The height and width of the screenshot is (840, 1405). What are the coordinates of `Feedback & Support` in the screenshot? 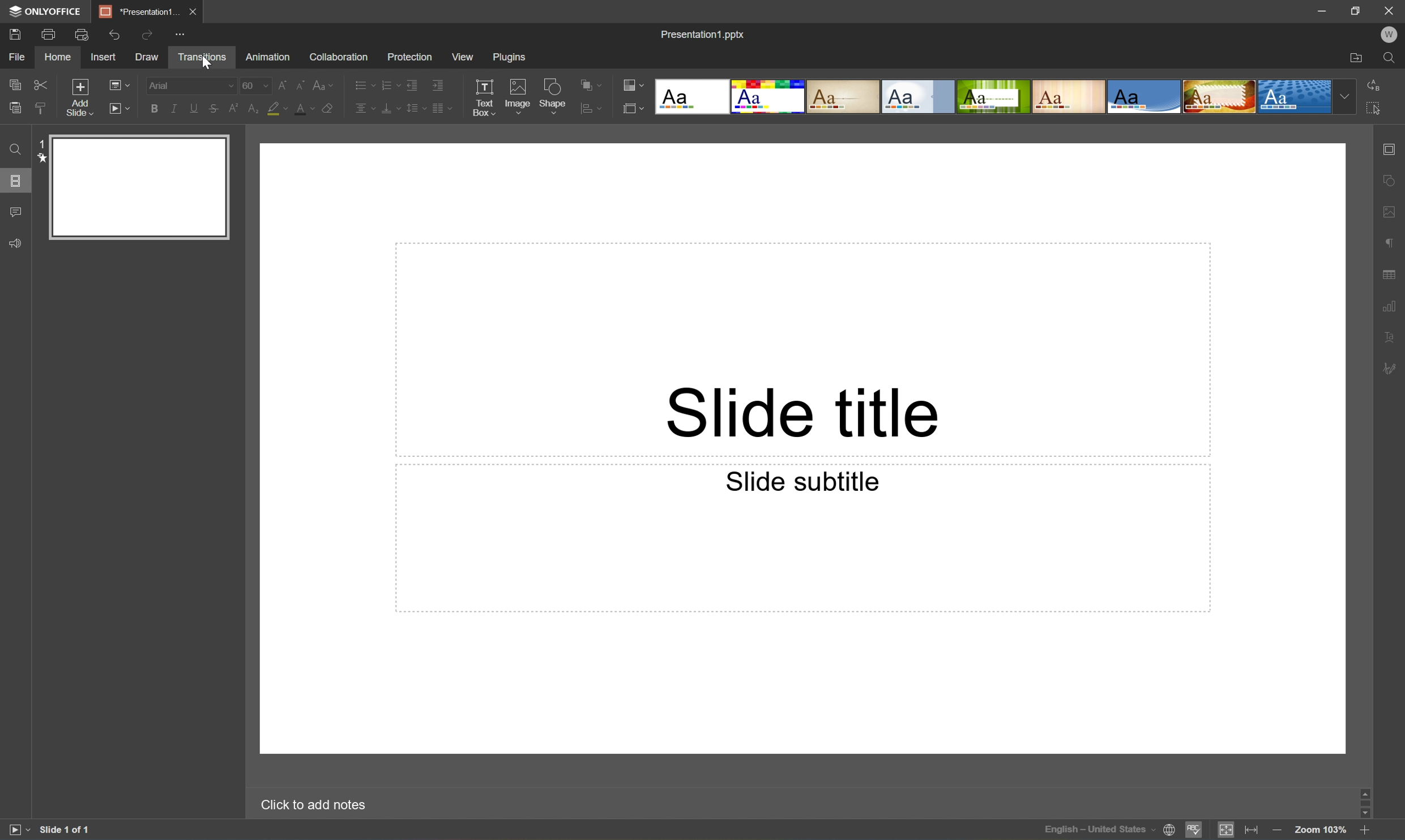 It's located at (17, 245).